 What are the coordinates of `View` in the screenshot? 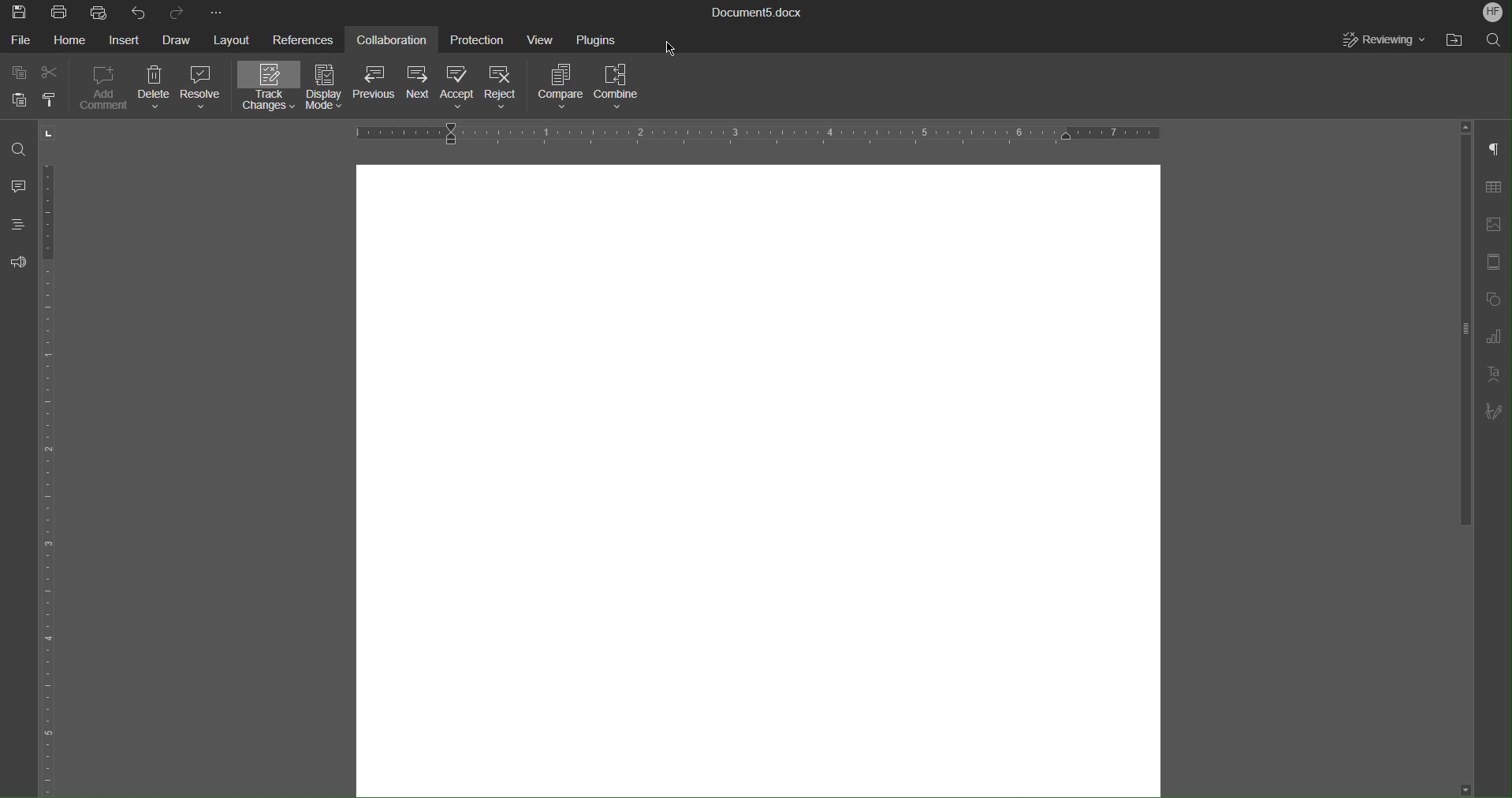 It's located at (545, 43).